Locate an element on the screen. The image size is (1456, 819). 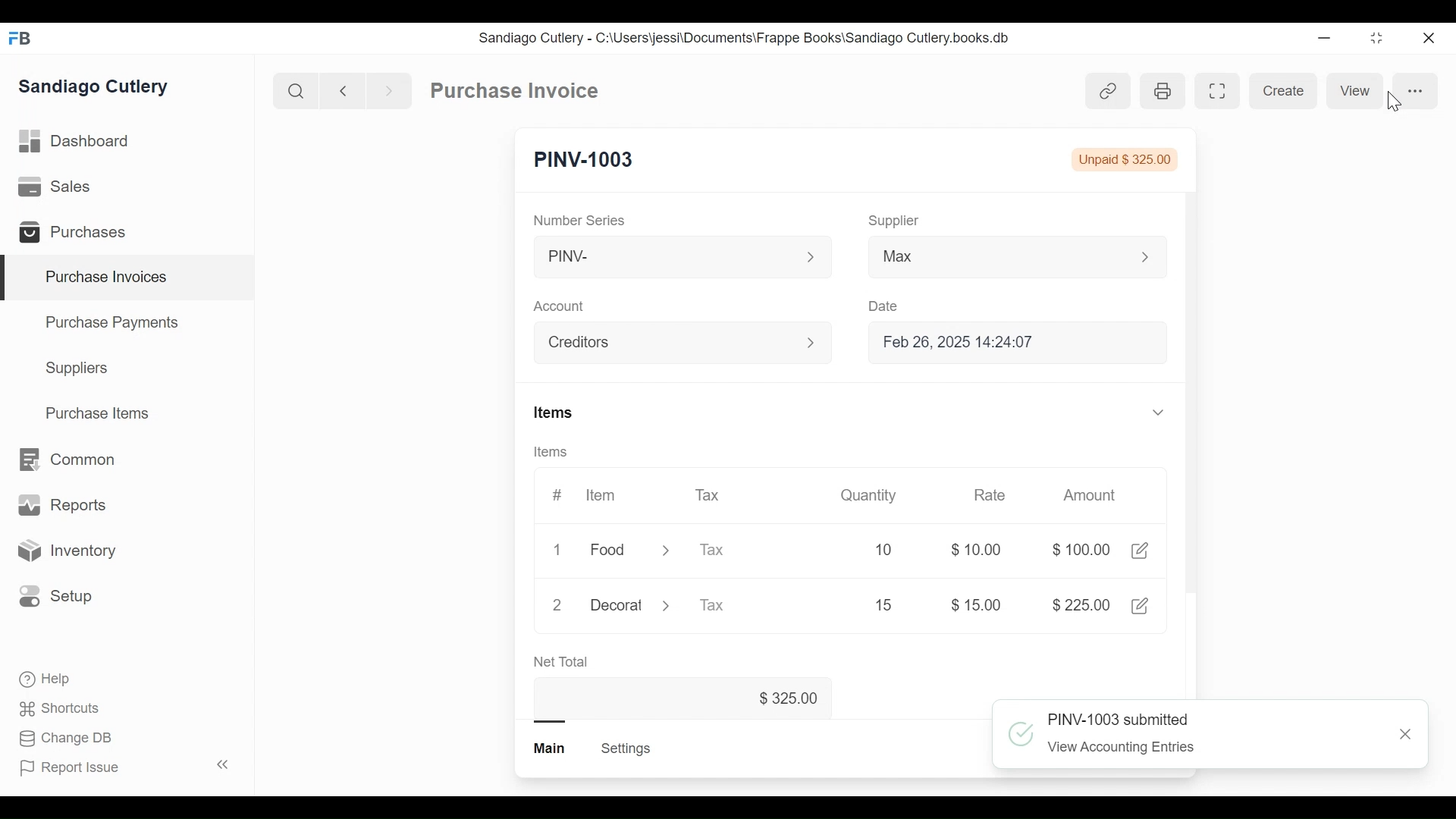
Toggle between form and full view is located at coordinates (1216, 91).